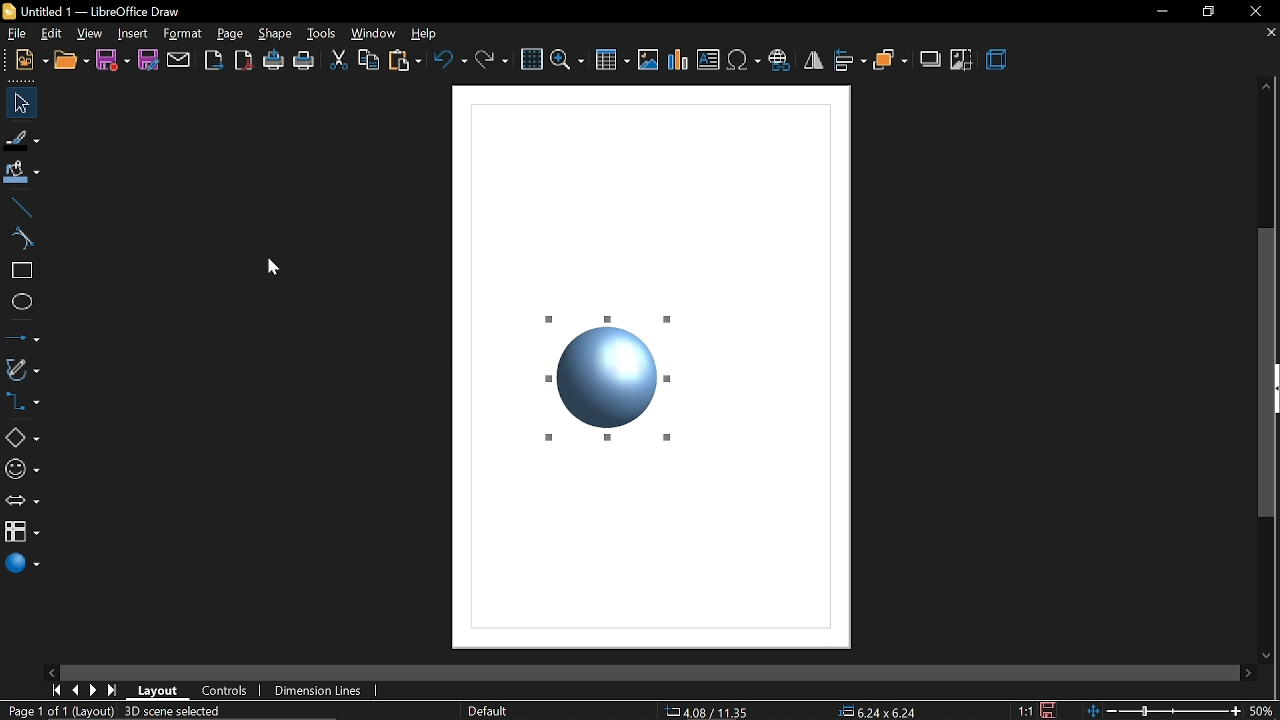 The width and height of the screenshot is (1280, 720). I want to click on previous page, so click(77, 690).